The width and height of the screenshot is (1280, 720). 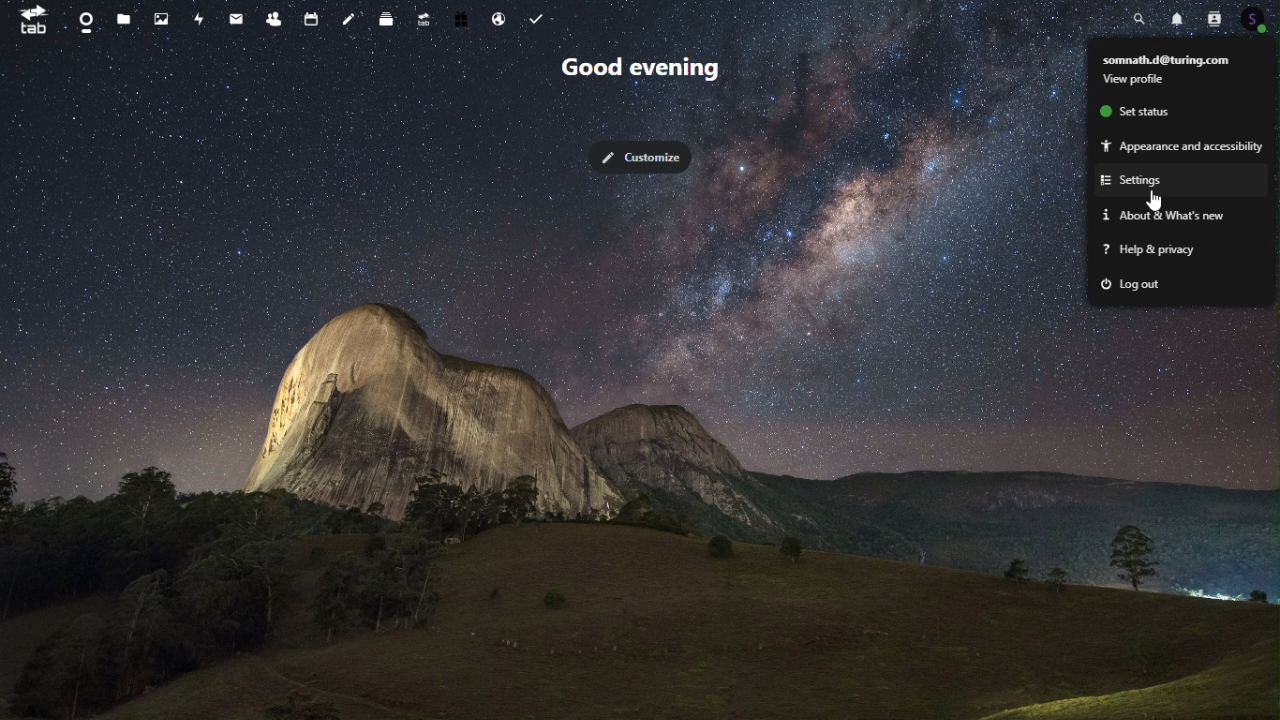 What do you see at coordinates (1182, 251) in the screenshot?
I see `help and privacy` at bounding box center [1182, 251].